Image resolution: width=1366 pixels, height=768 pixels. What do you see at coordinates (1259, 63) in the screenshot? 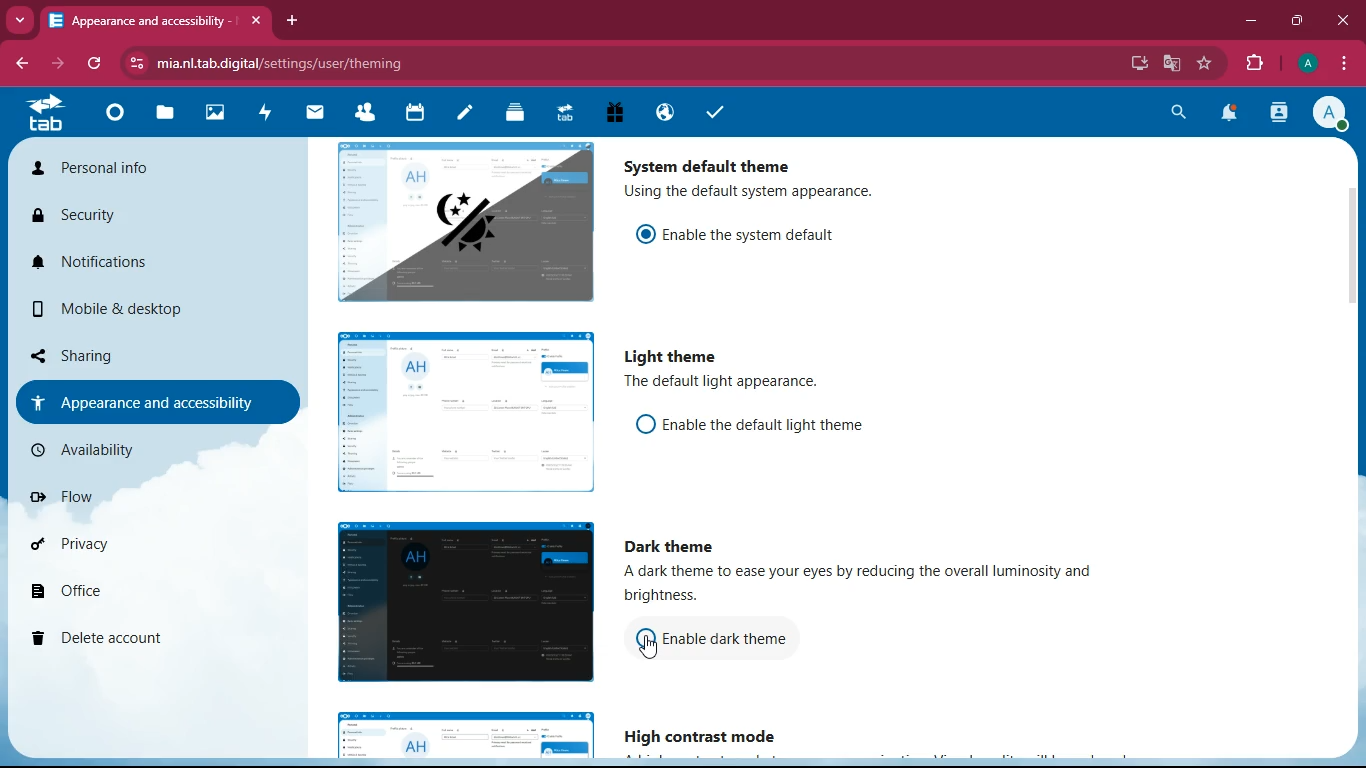
I see `extension` at bounding box center [1259, 63].